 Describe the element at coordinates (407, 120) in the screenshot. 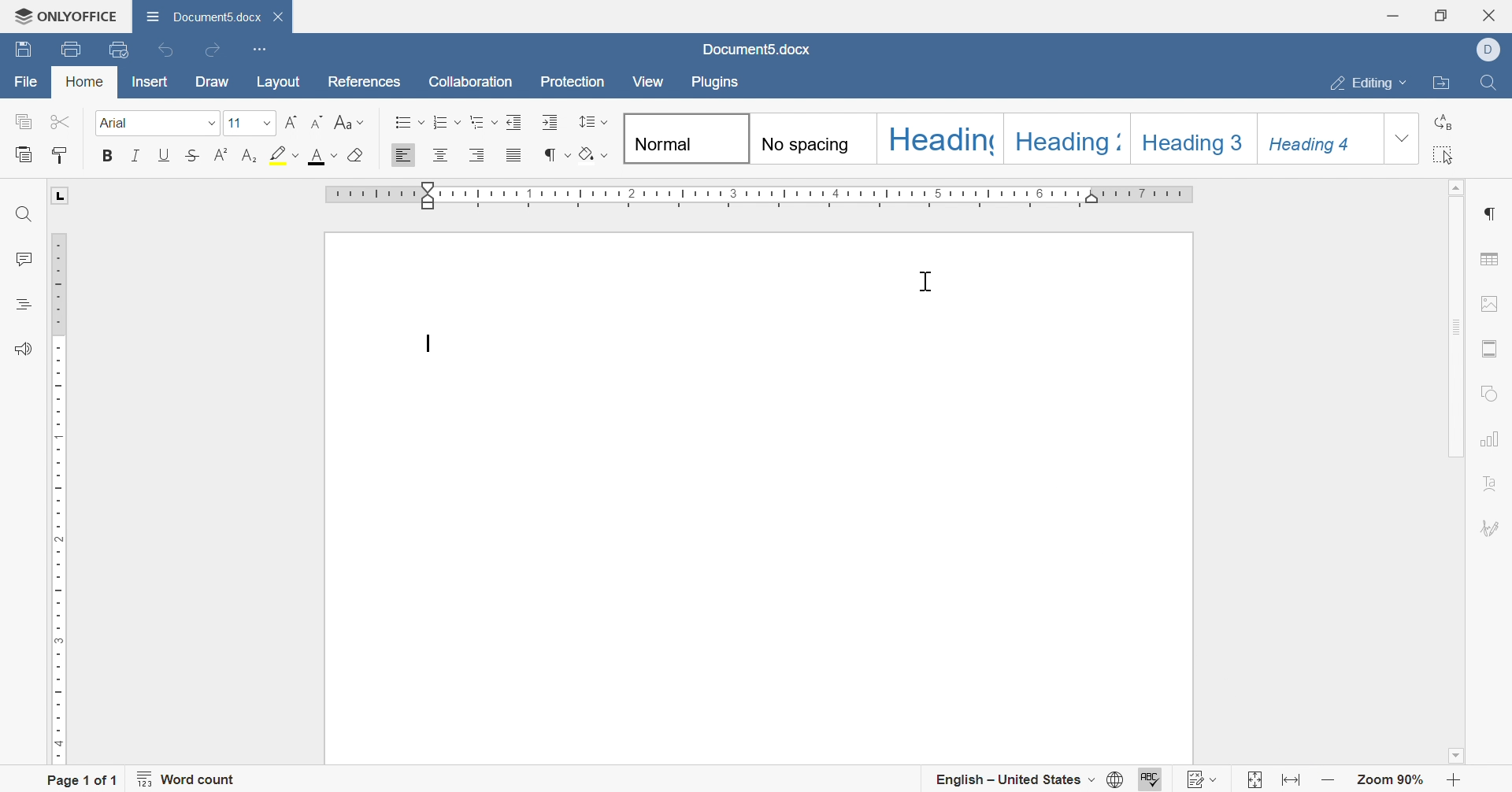

I see `bullets` at that location.